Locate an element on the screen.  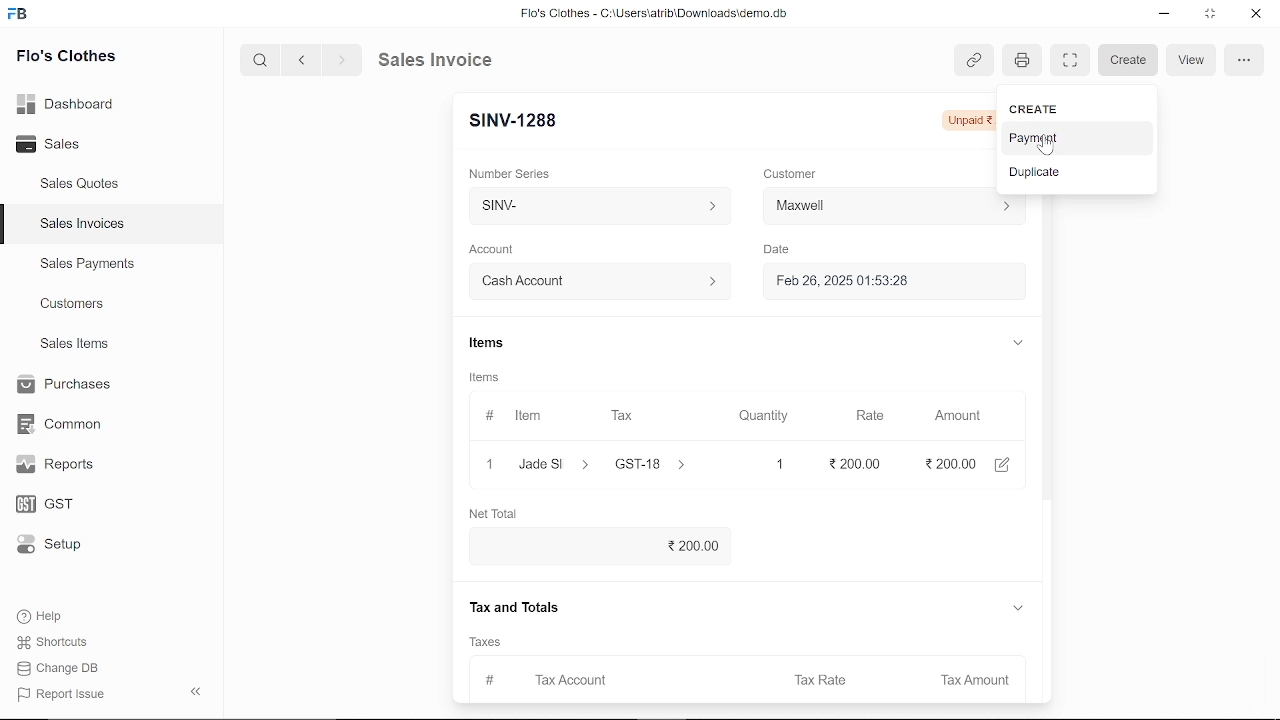
2,999.00 is located at coordinates (948, 463).